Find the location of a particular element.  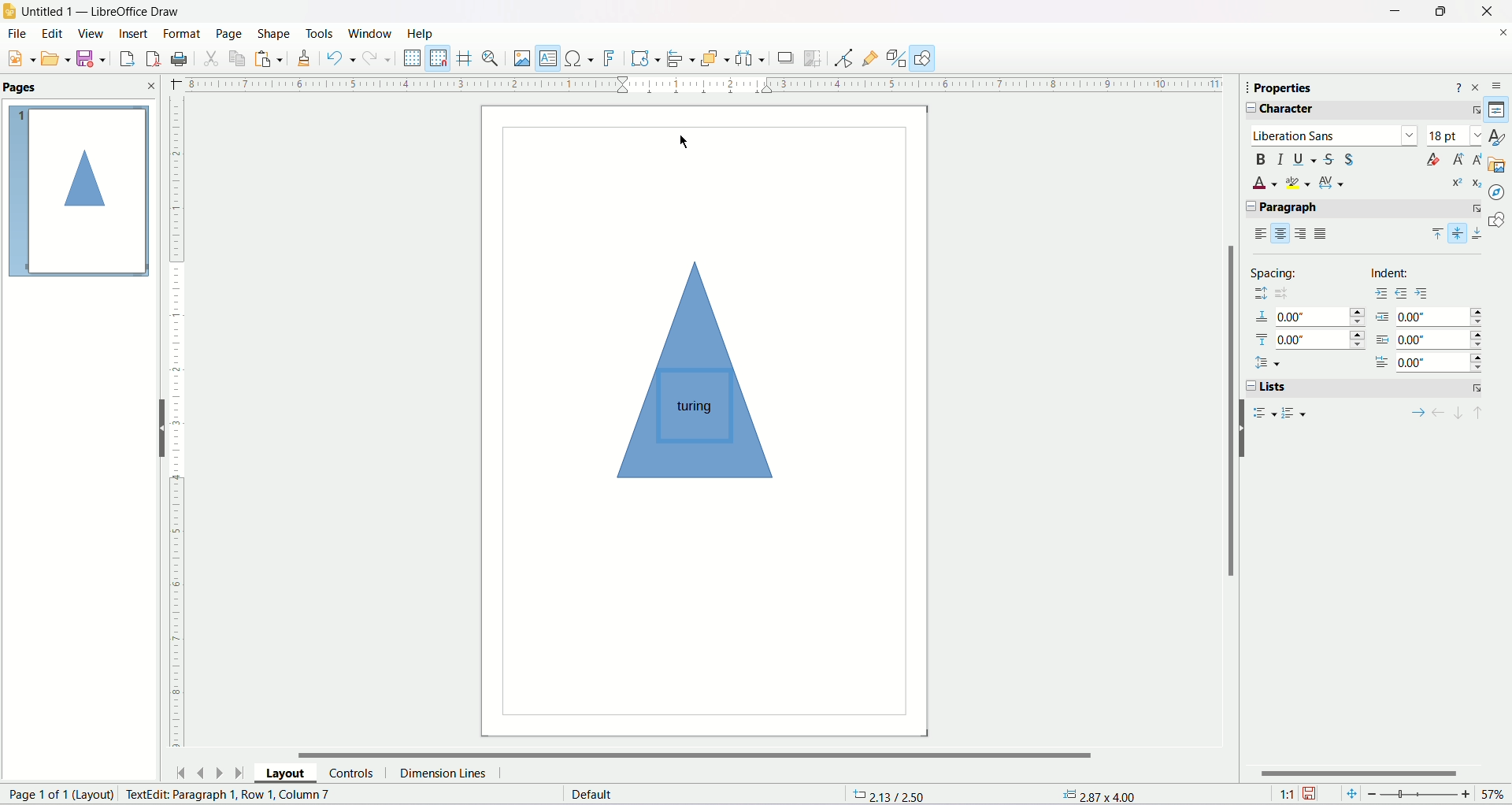

Help about sidebar deck is located at coordinates (1458, 87).